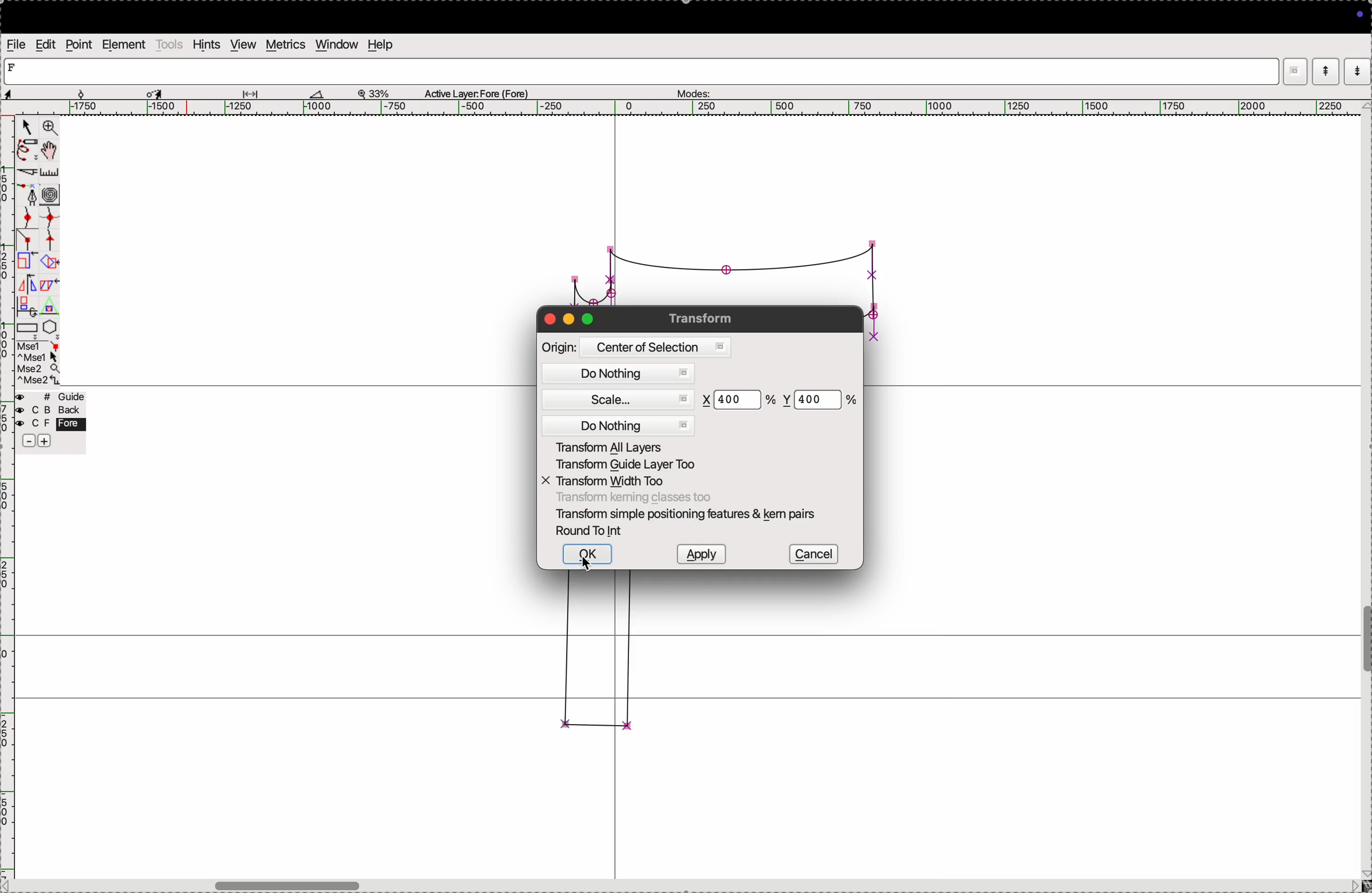 This screenshot has width=1372, height=893. What do you see at coordinates (123, 44) in the screenshot?
I see `element` at bounding box center [123, 44].